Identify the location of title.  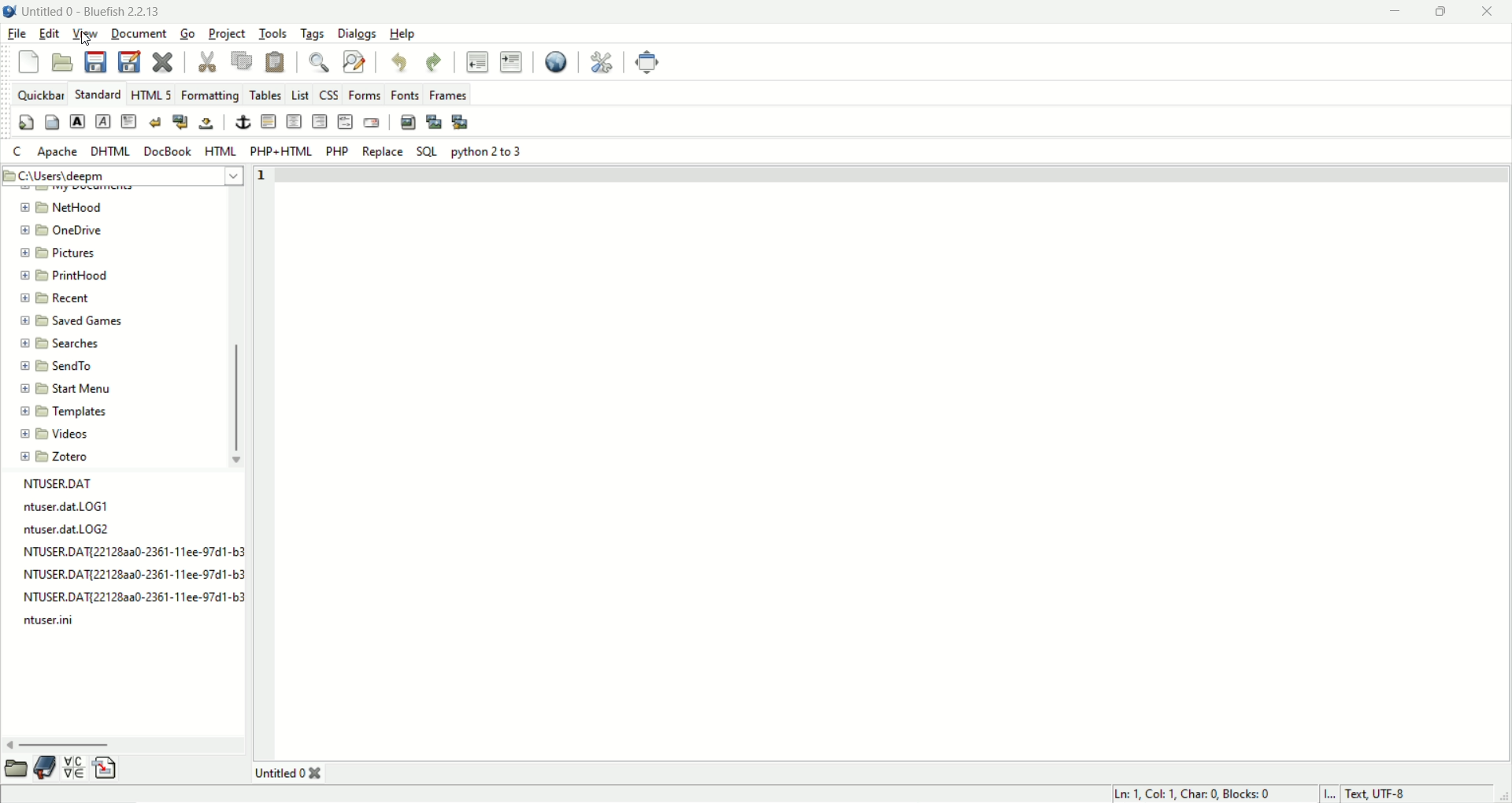
(94, 12).